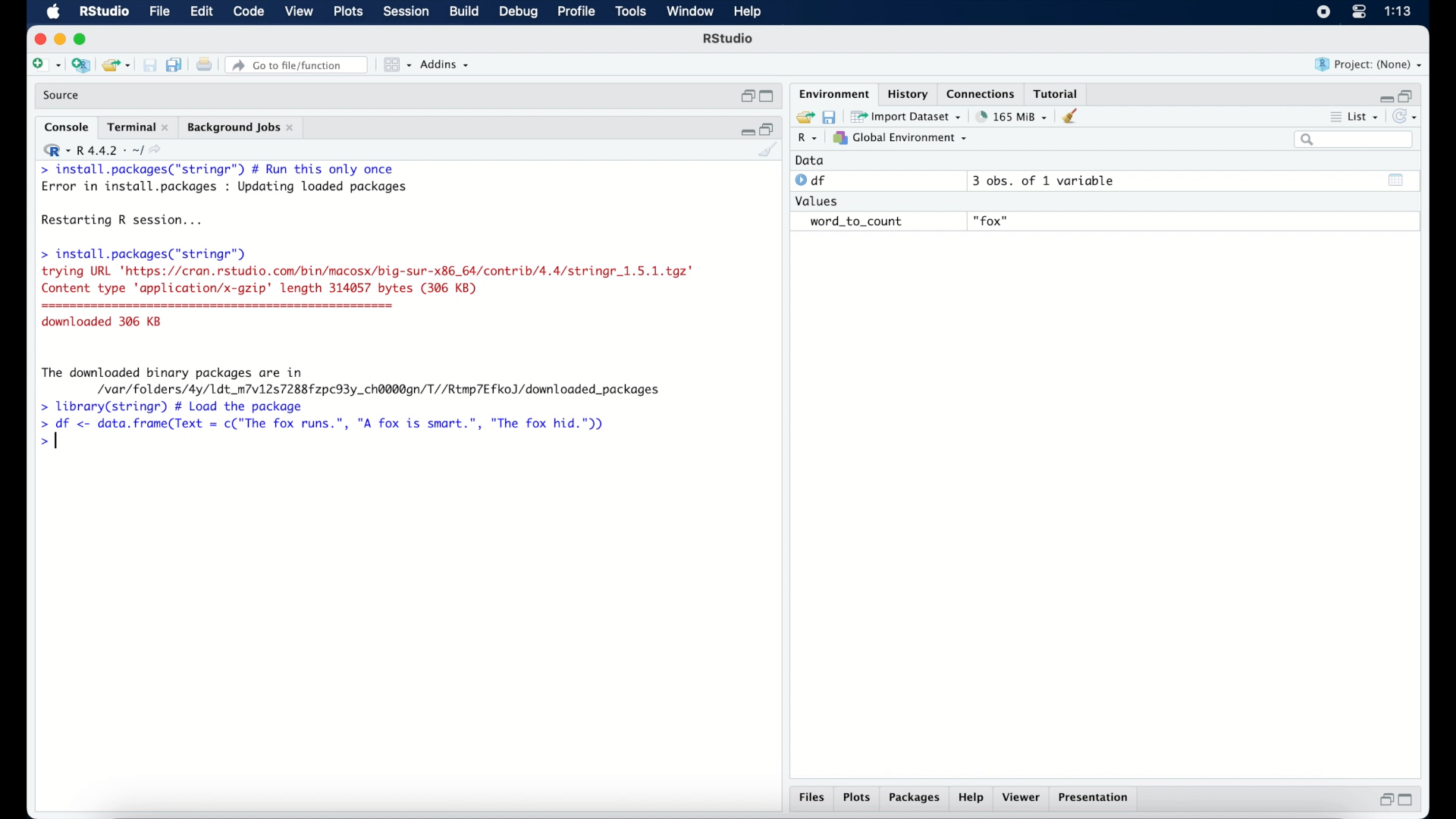  Describe the element at coordinates (63, 96) in the screenshot. I see `source` at that location.